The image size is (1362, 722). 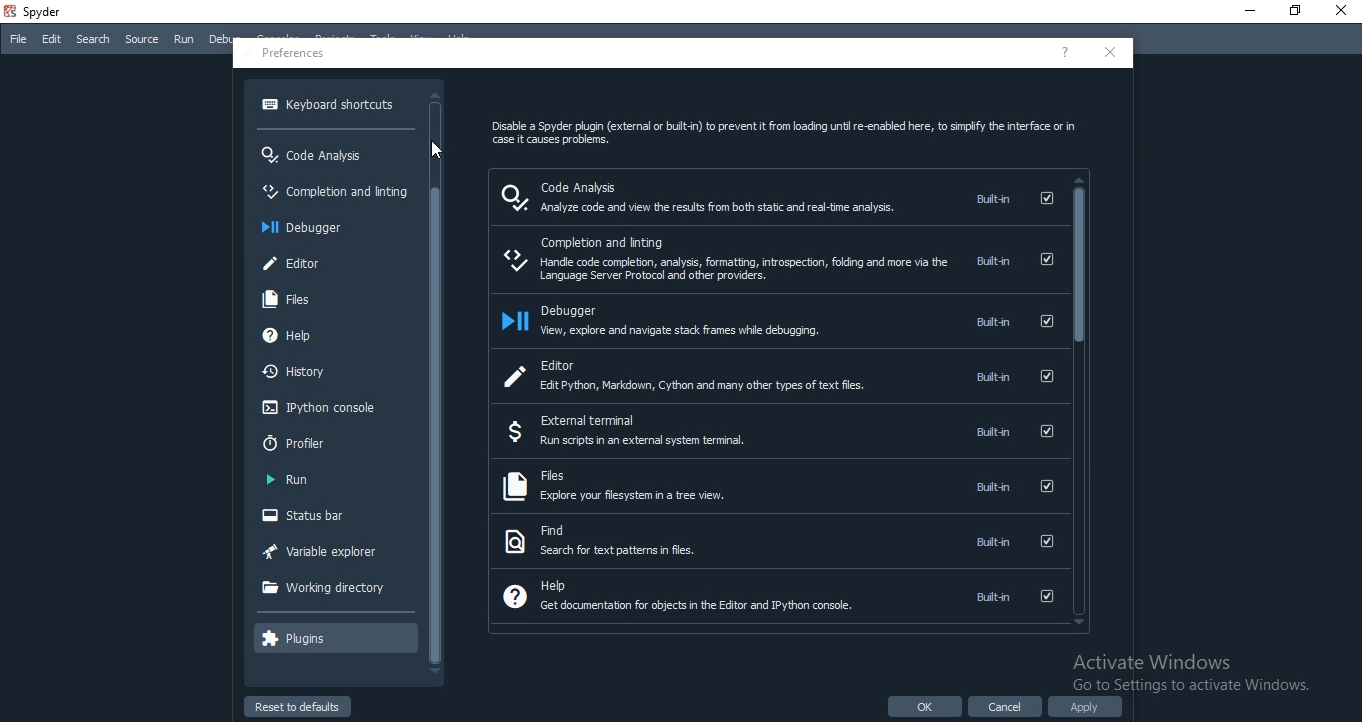 I want to click on variable explorer, so click(x=329, y=553).